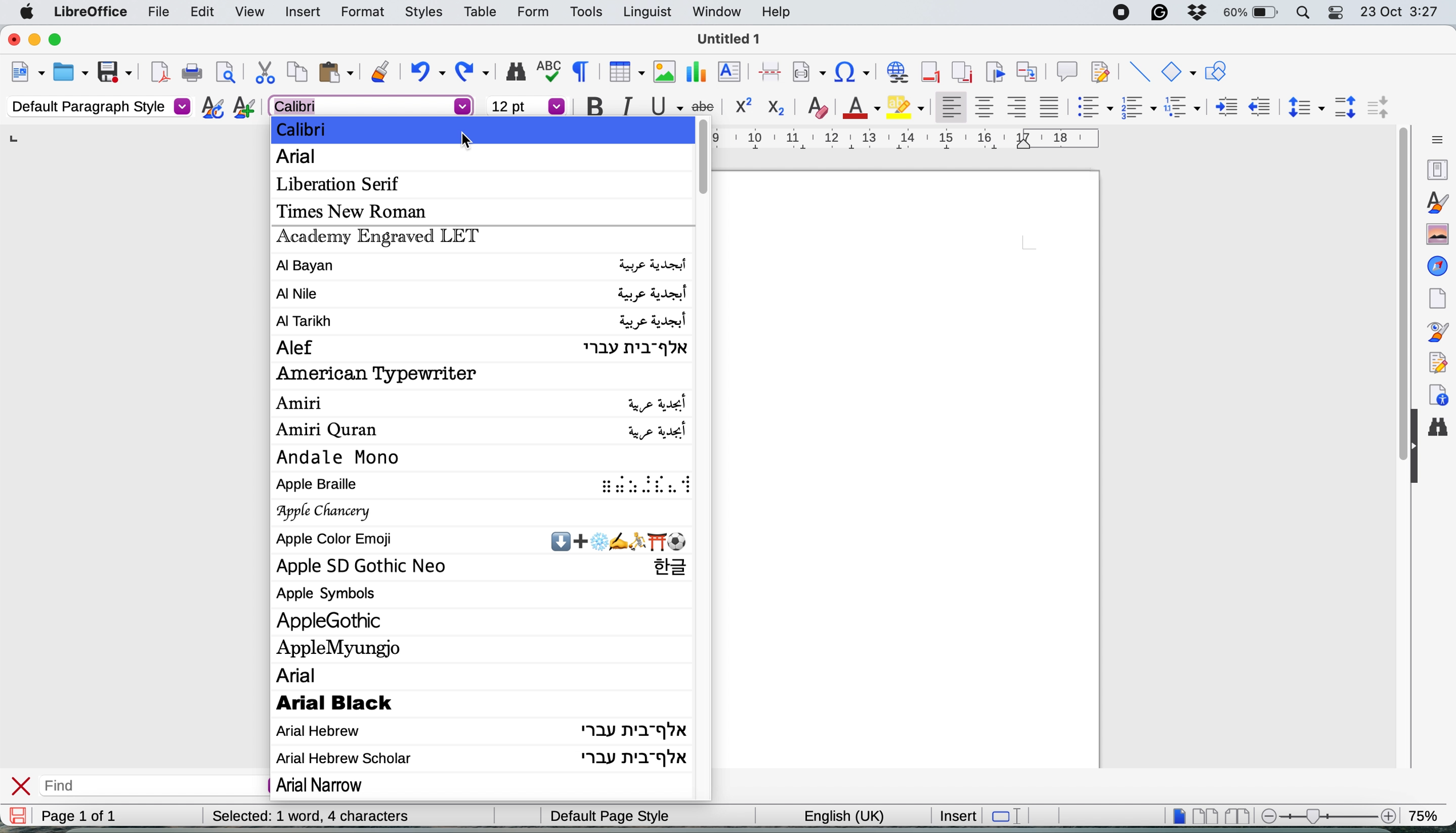 This screenshot has height=833, width=1456. I want to click on multi page view, so click(1204, 815).